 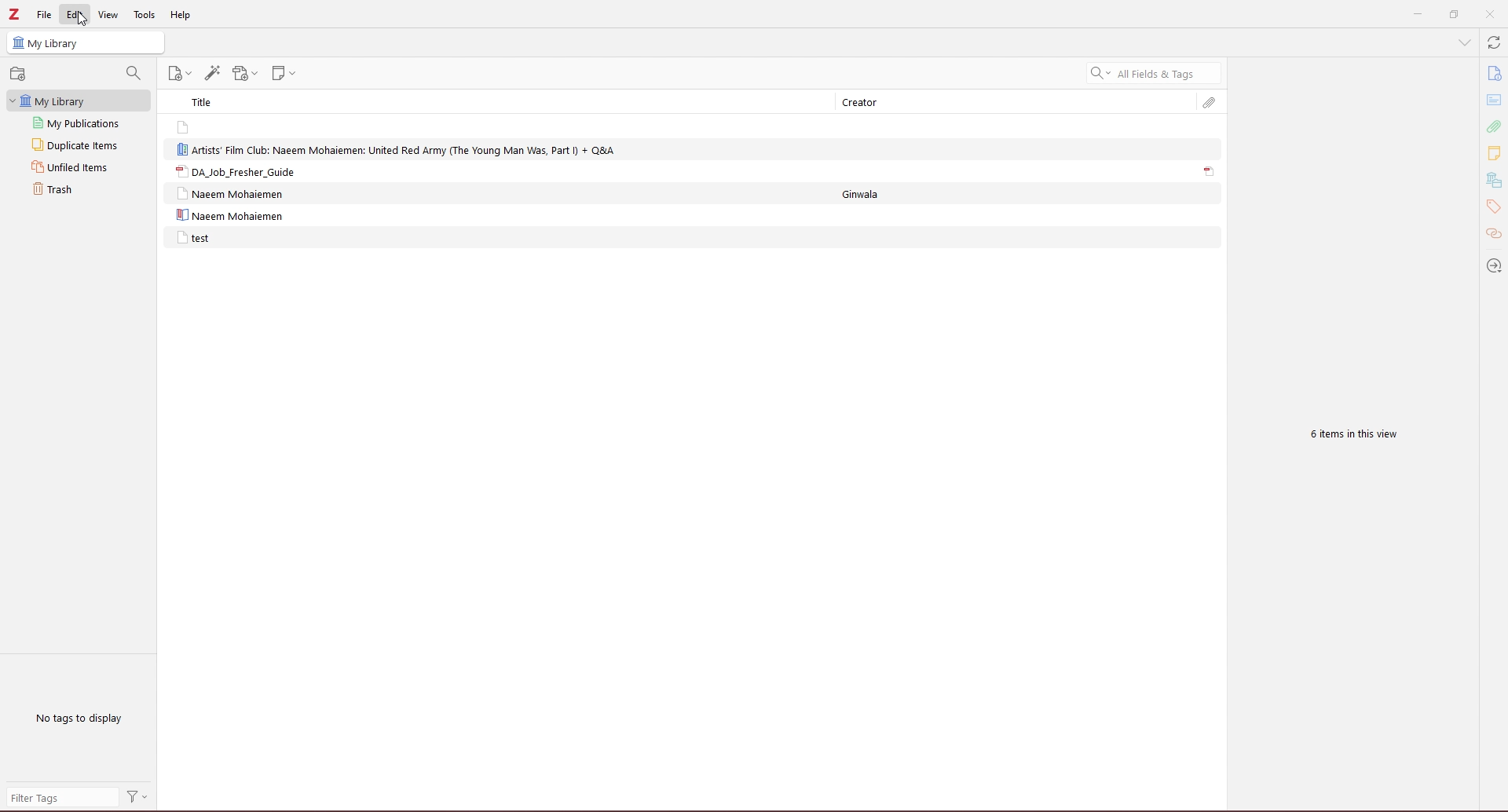 I want to click on No tags to display, so click(x=82, y=718).